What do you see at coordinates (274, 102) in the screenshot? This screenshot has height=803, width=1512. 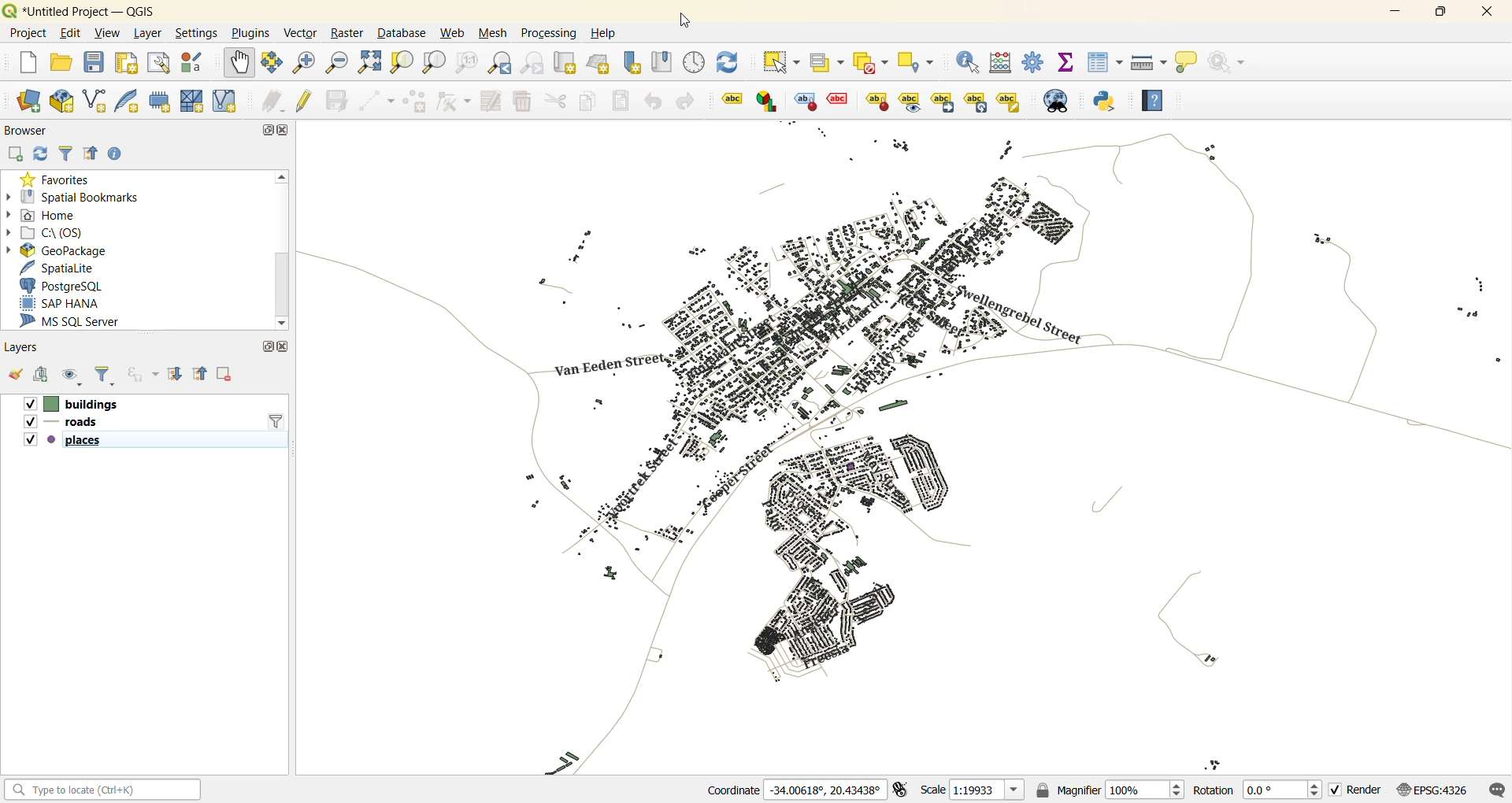 I see `edits` at bounding box center [274, 102].